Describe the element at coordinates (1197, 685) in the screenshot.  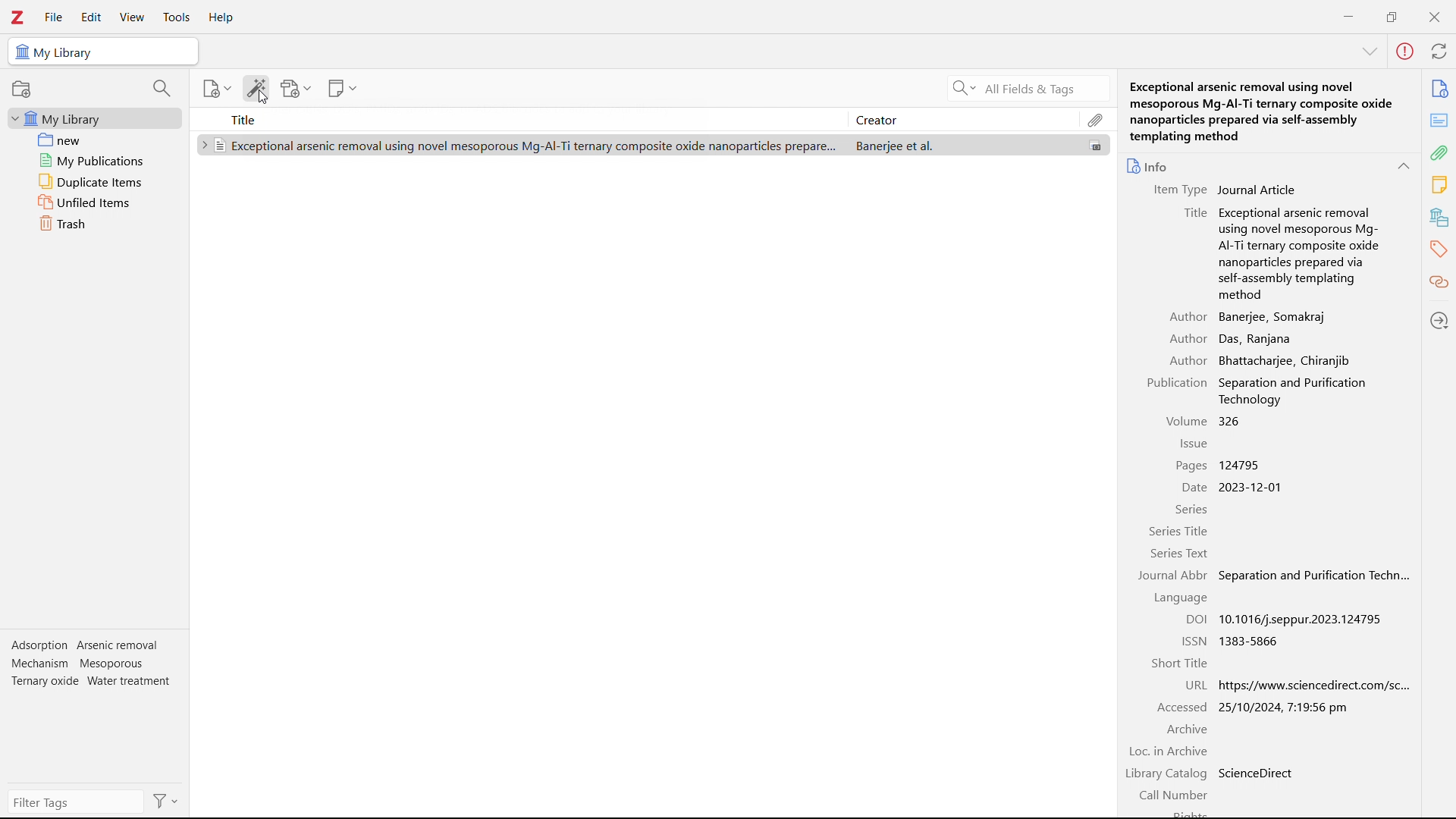
I see `U R L` at that location.